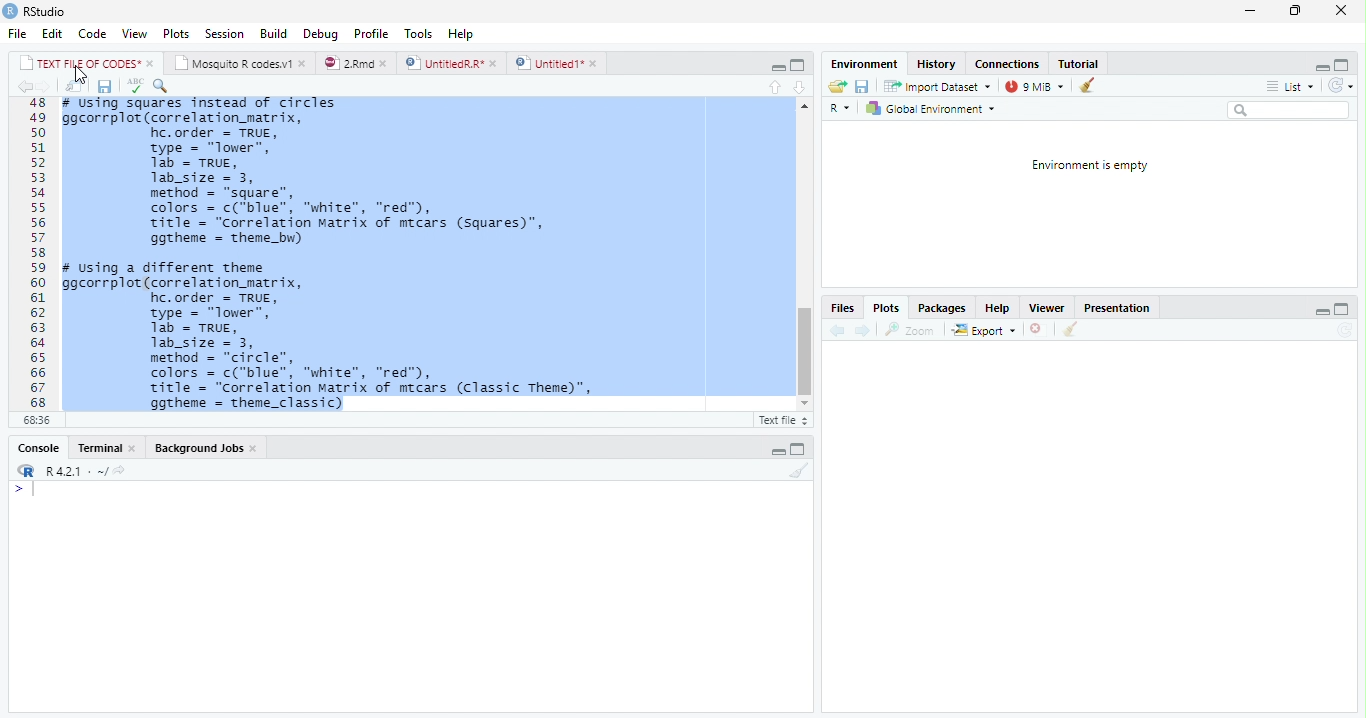  What do you see at coordinates (370, 33) in the screenshot?
I see `Profile` at bounding box center [370, 33].